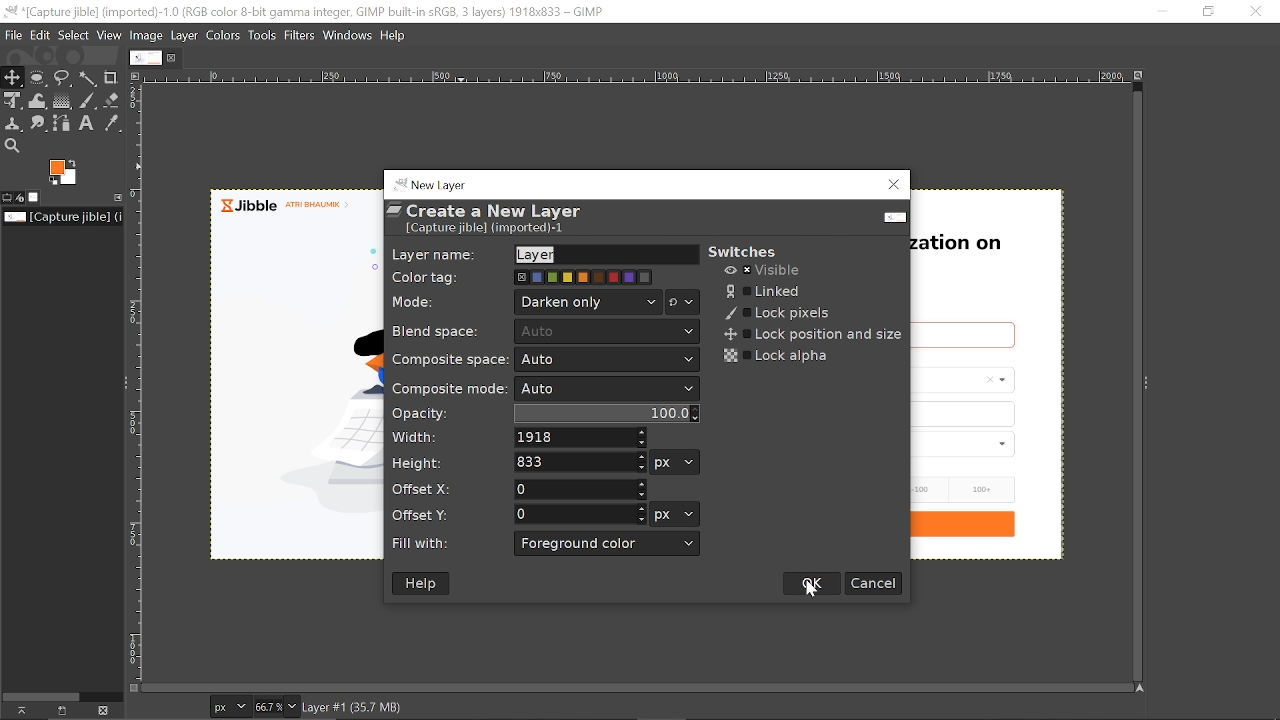  What do you see at coordinates (7, 198) in the screenshot?
I see `Tool options` at bounding box center [7, 198].